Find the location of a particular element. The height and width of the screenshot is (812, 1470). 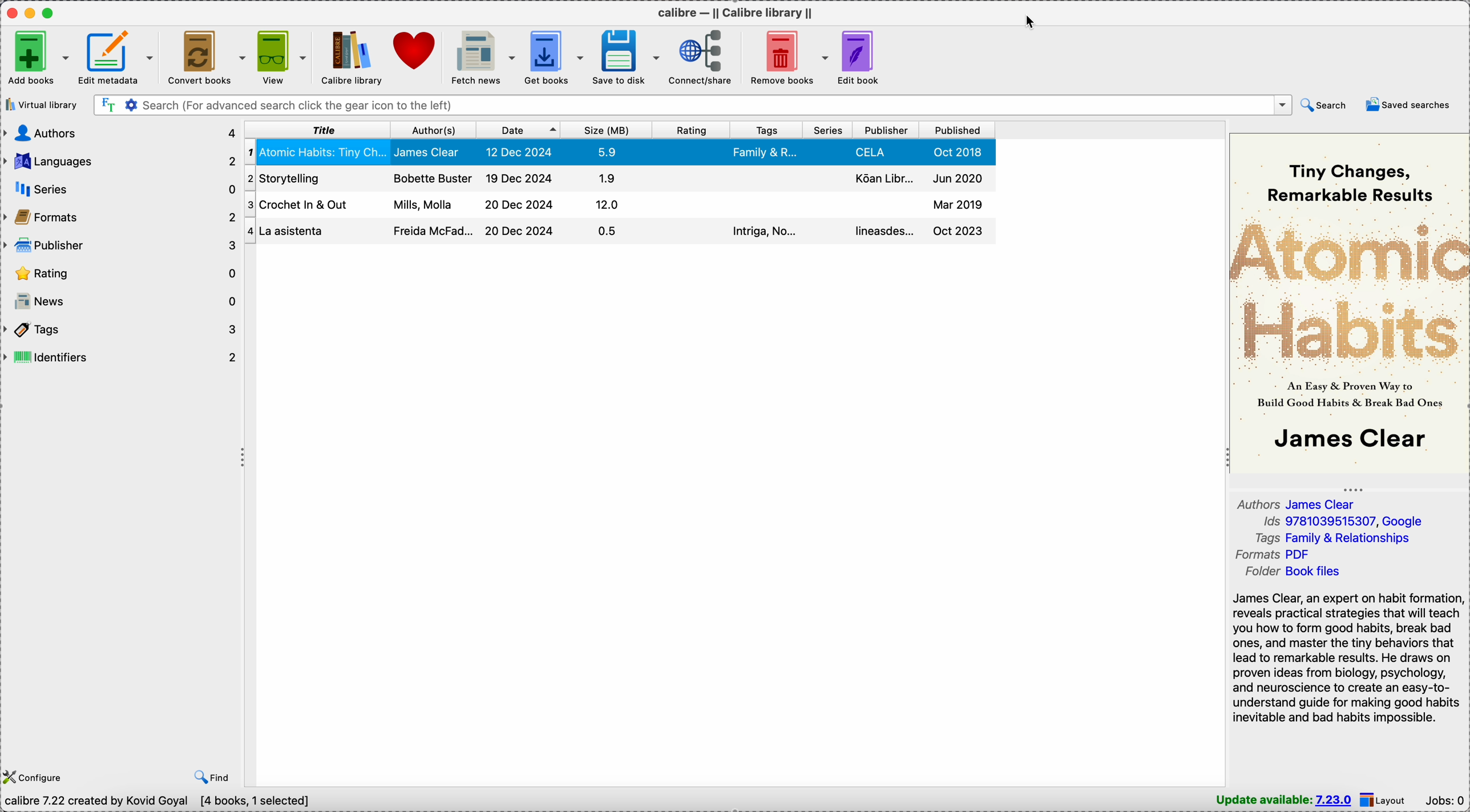

Calibre 7.22 created by Kovid Goyal [4 books, 1 selected] is located at coordinates (161, 802).